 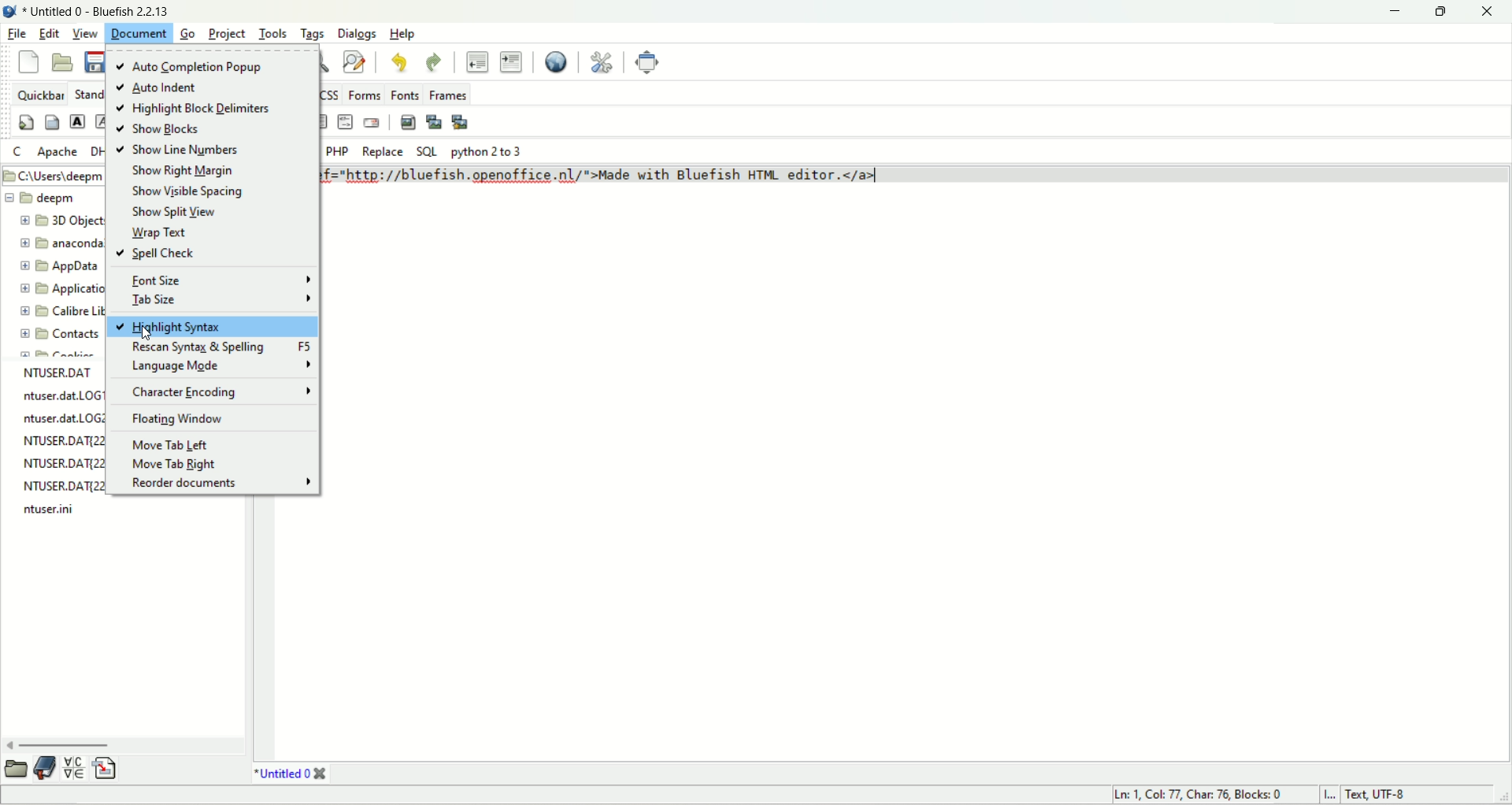 I want to click on file, so click(x=17, y=34).